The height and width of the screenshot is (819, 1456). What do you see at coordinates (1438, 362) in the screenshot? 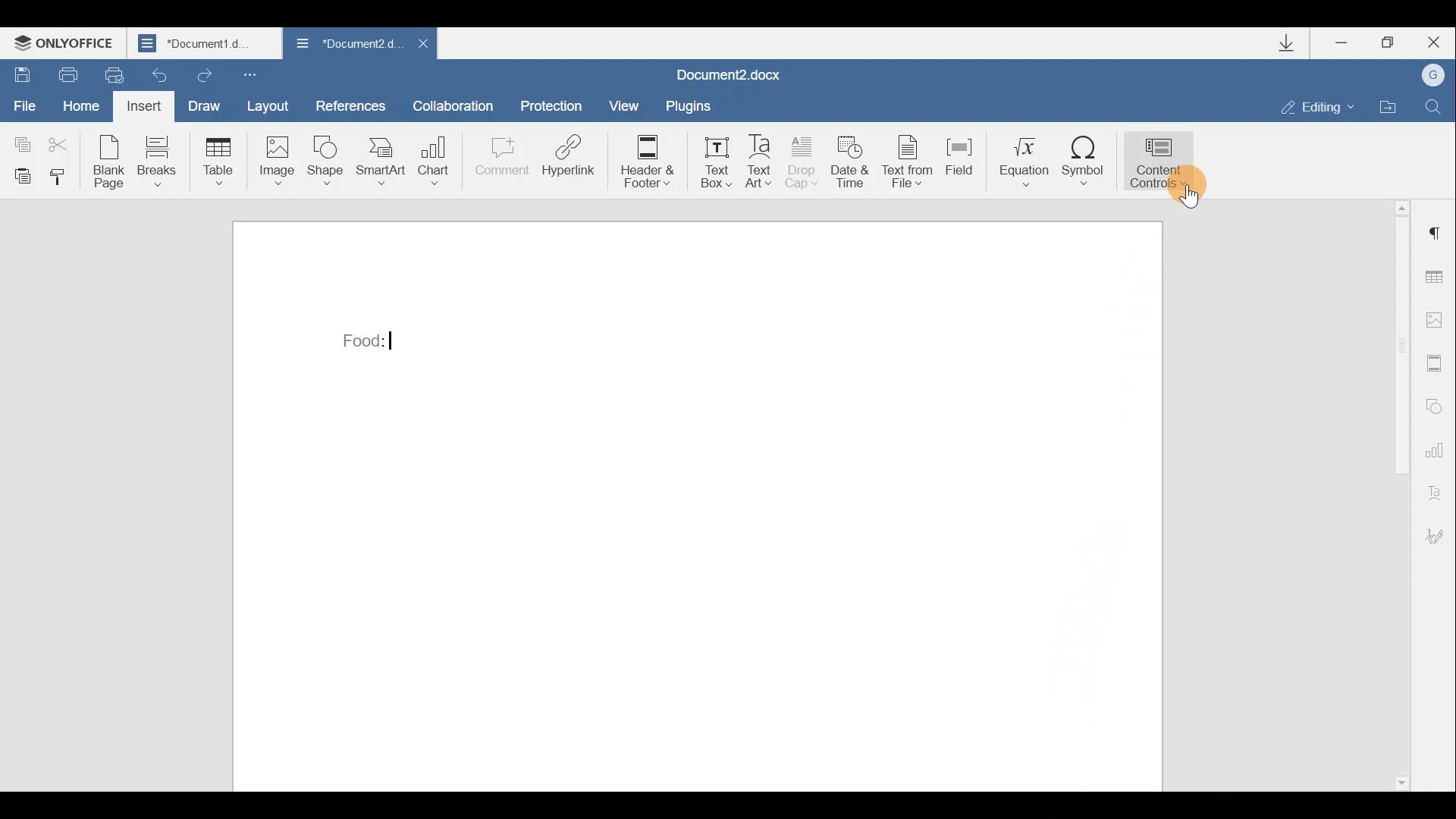
I see `Header & footer settings` at bounding box center [1438, 362].